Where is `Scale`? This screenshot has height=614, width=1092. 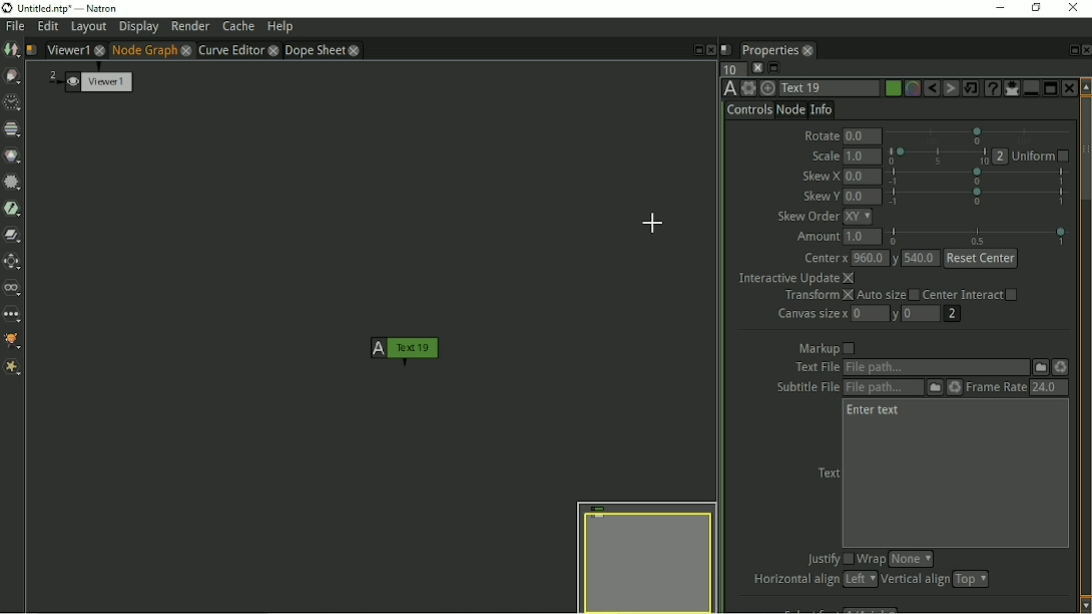 Scale is located at coordinates (824, 155).